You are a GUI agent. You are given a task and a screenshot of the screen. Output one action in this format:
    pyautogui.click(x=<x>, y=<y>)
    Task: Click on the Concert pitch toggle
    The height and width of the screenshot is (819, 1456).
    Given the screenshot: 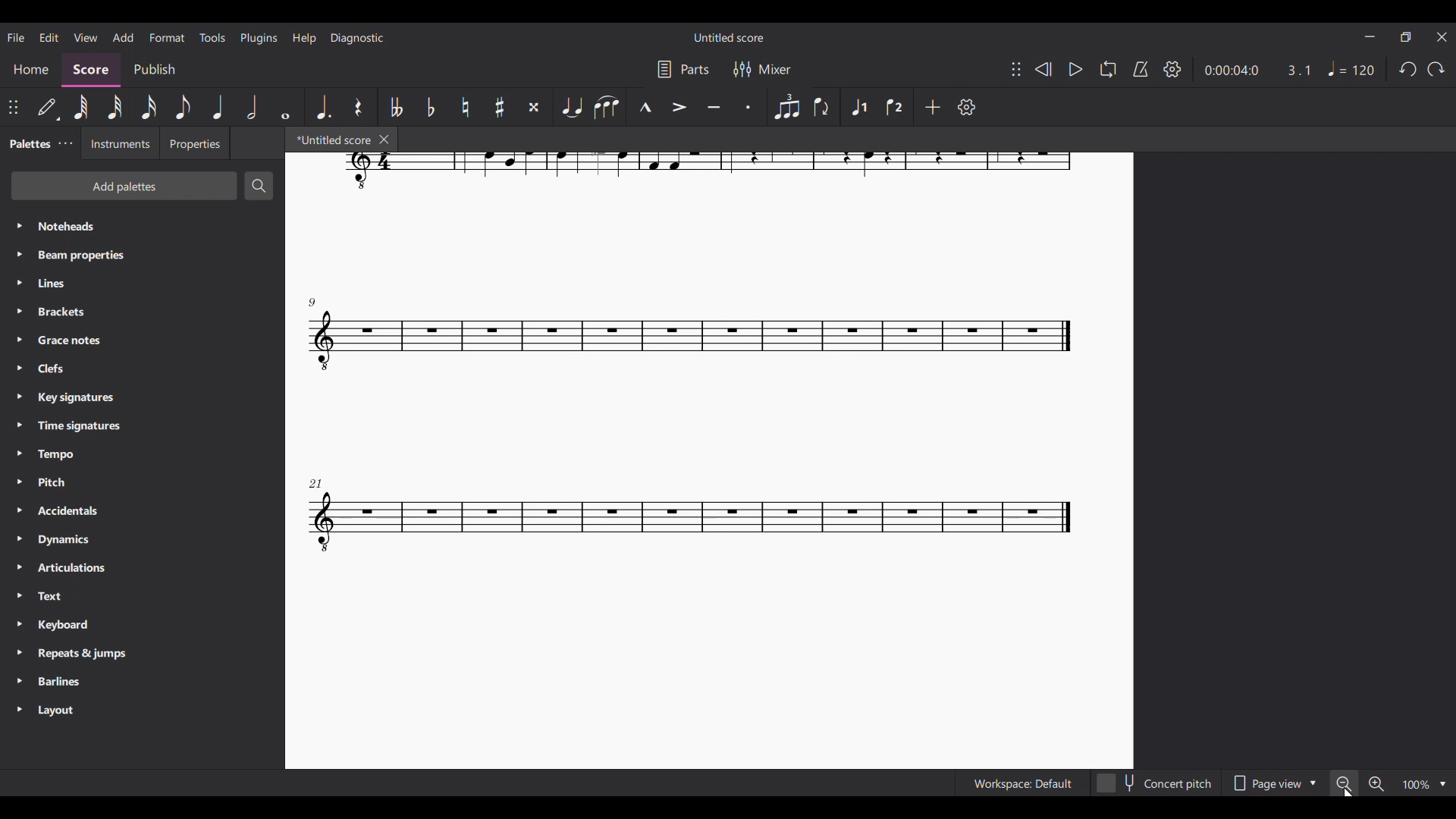 What is the action you would take?
    pyautogui.click(x=1155, y=783)
    